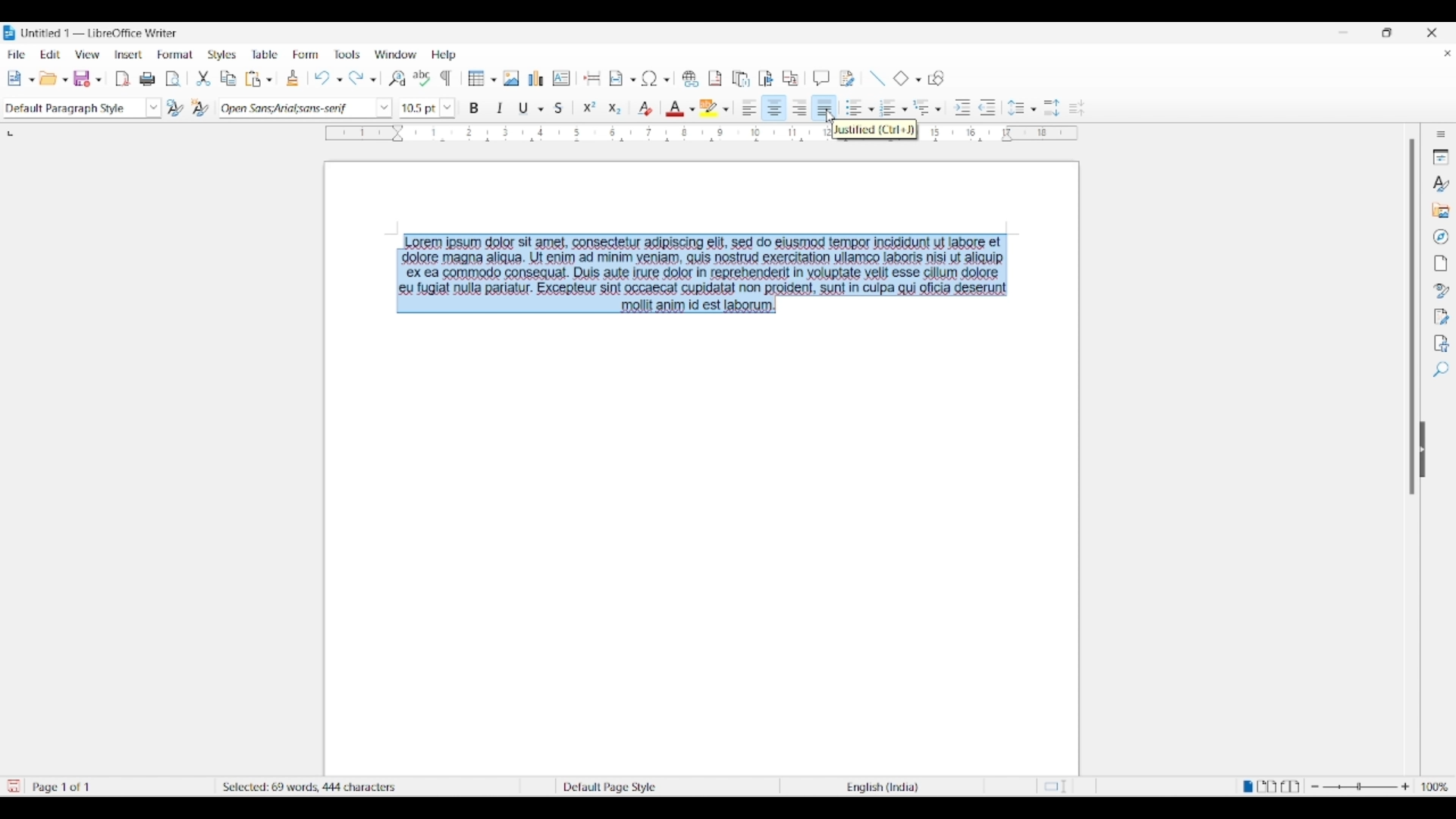 Image resolution: width=1456 pixels, height=819 pixels. What do you see at coordinates (938, 109) in the screenshot?
I see `Outline format options` at bounding box center [938, 109].